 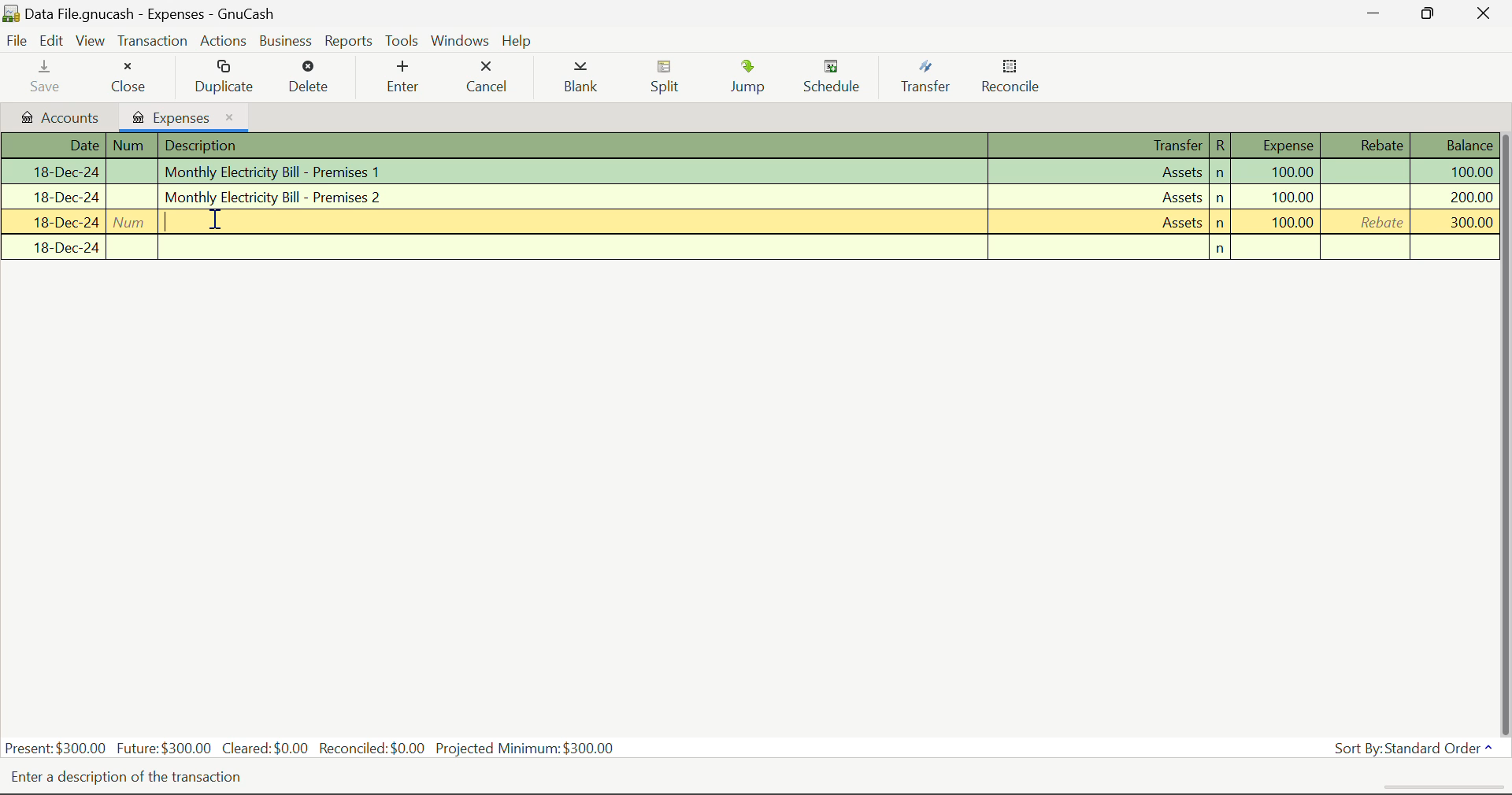 I want to click on Transactions Column Headings, so click(x=753, y=146).